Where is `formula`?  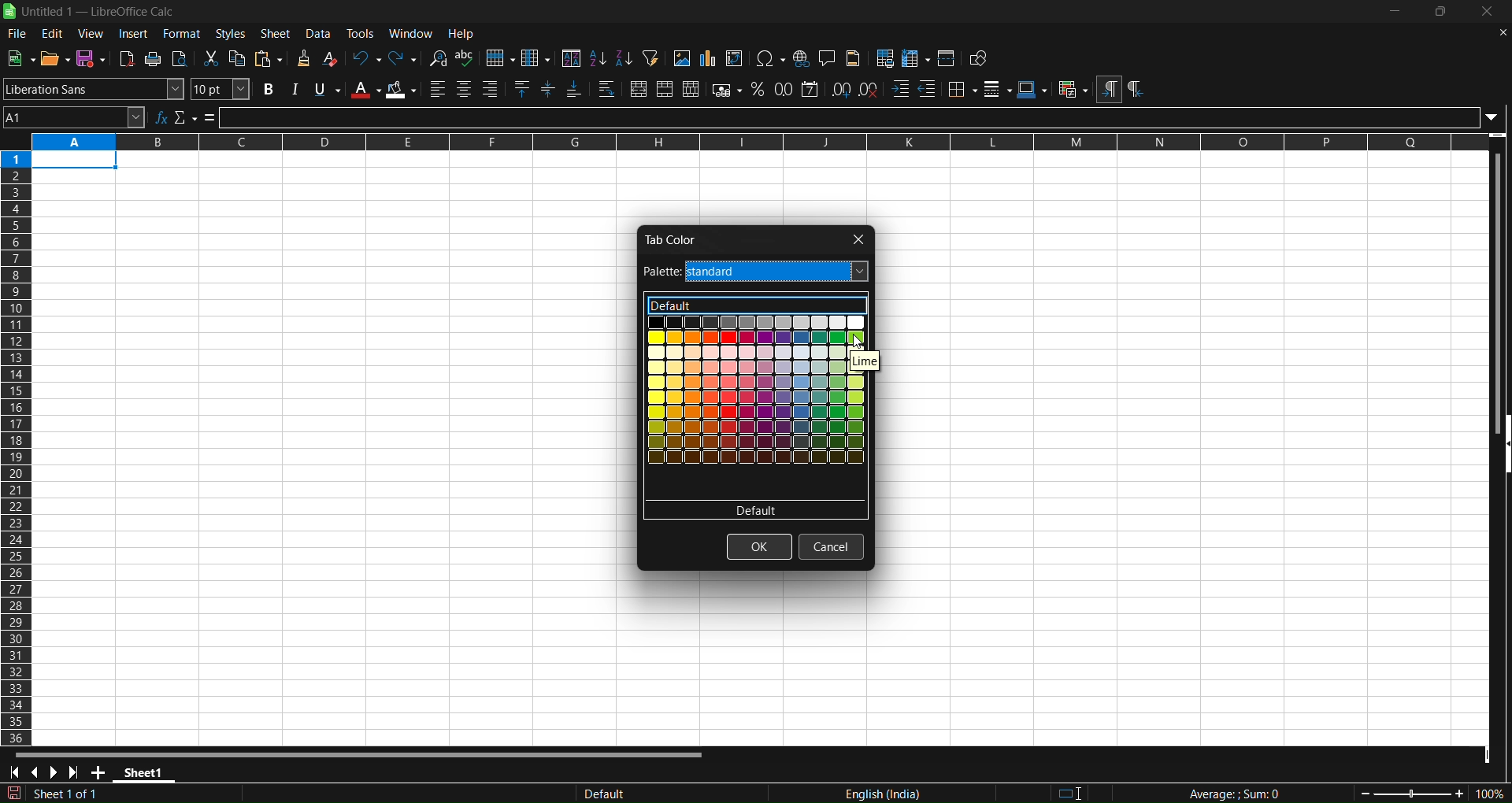 formula is located at coordinates (210, 118).